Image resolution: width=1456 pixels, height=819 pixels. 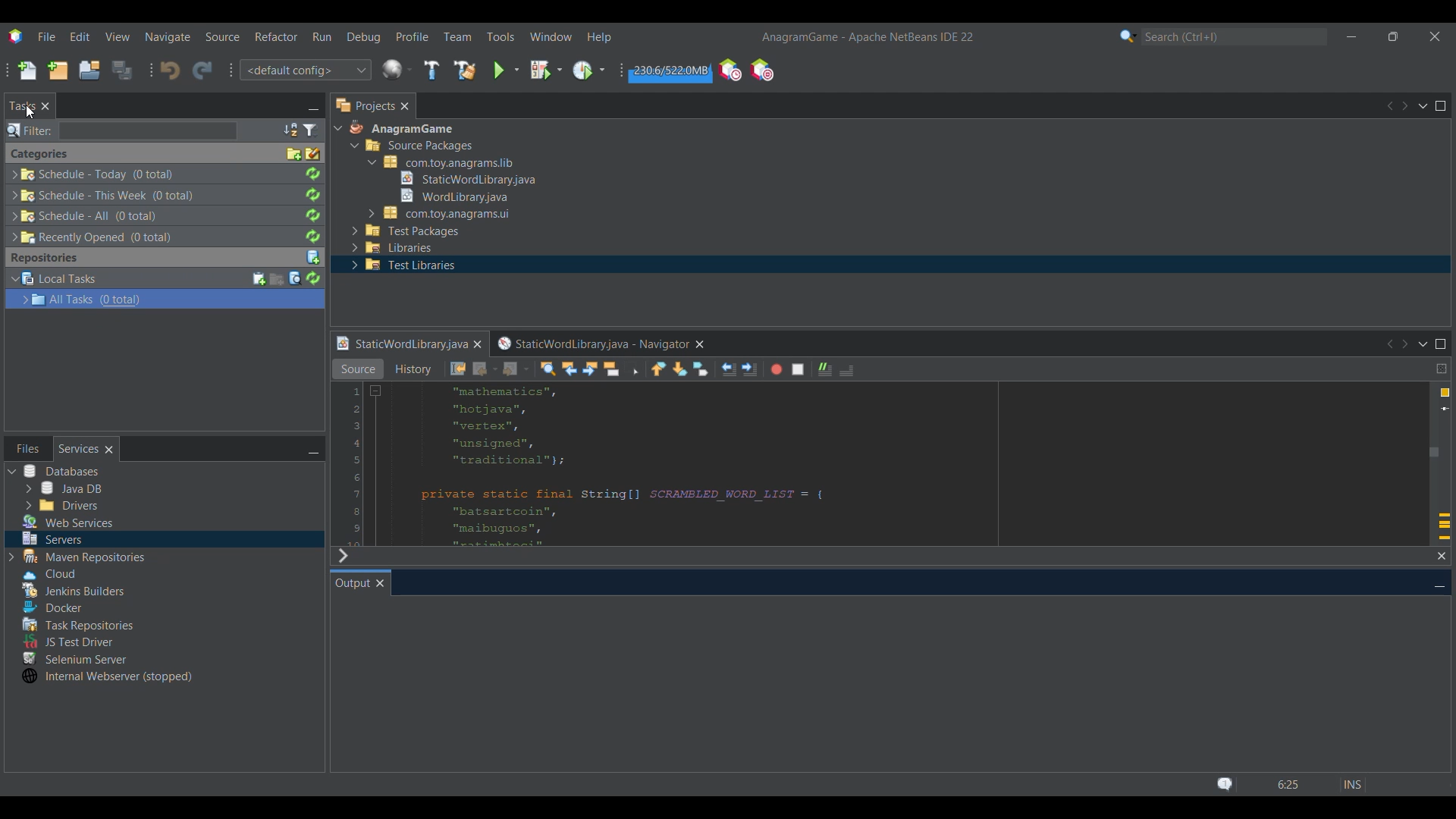 What do you see at coordinates (94, 174) in the screenshot?
I see `` at bounding box center [94, 174].